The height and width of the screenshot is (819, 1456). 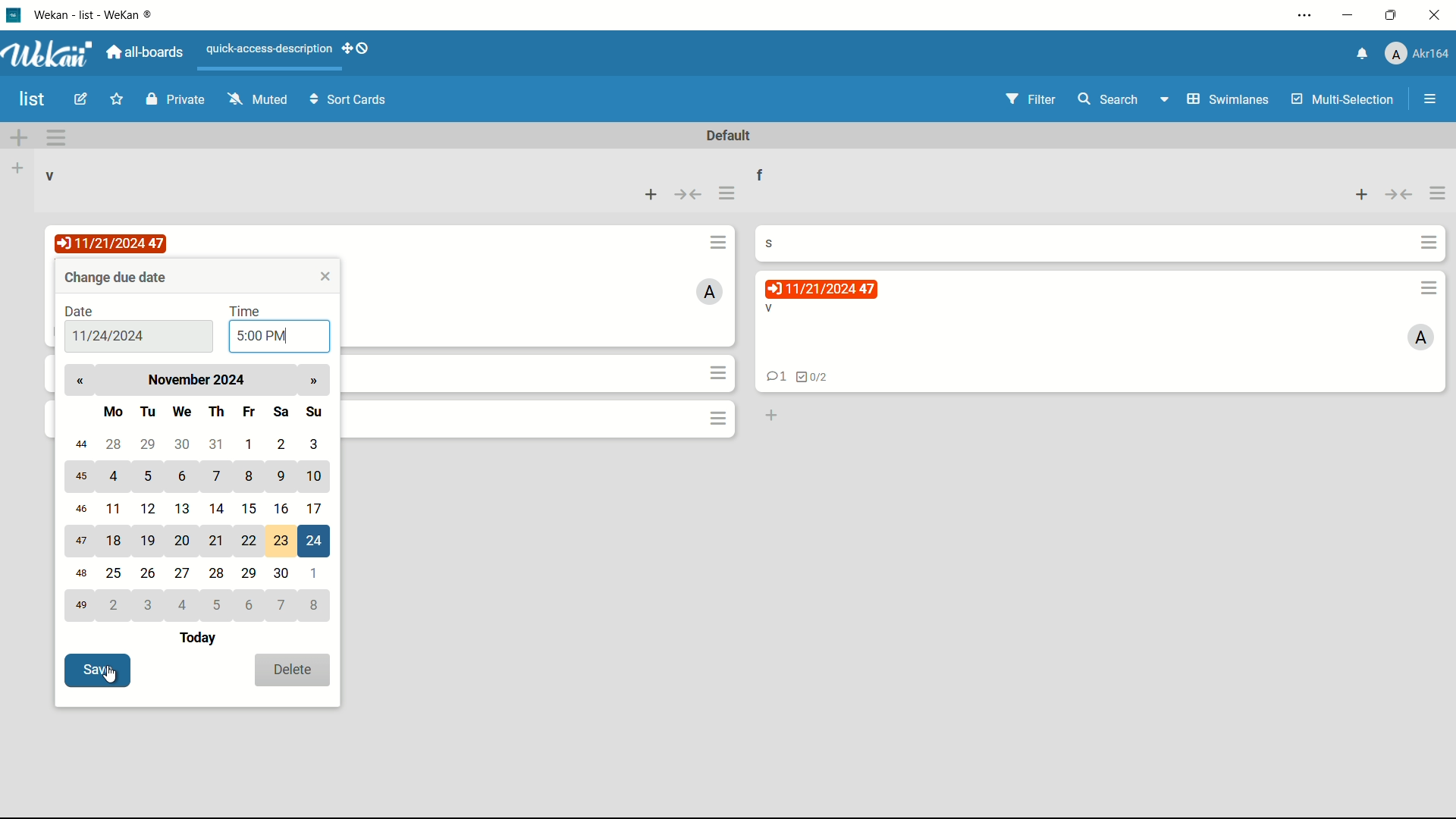 What do you see at coordinates (1341, 99) in the screenshot?
I see `multi-selection` at bounding box center [1341, 99].